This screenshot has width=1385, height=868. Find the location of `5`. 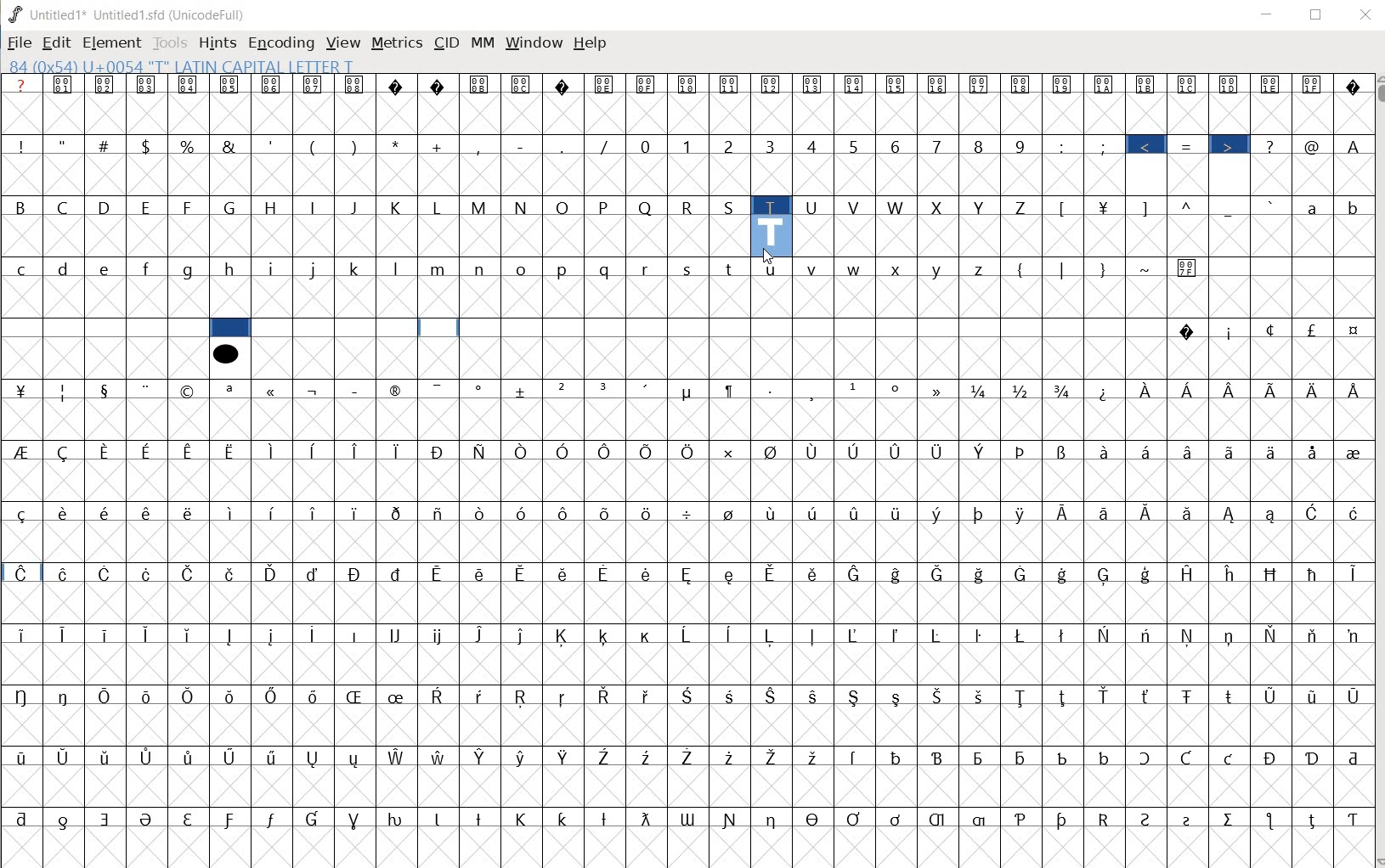

5 is located at coordinates (854, 144).